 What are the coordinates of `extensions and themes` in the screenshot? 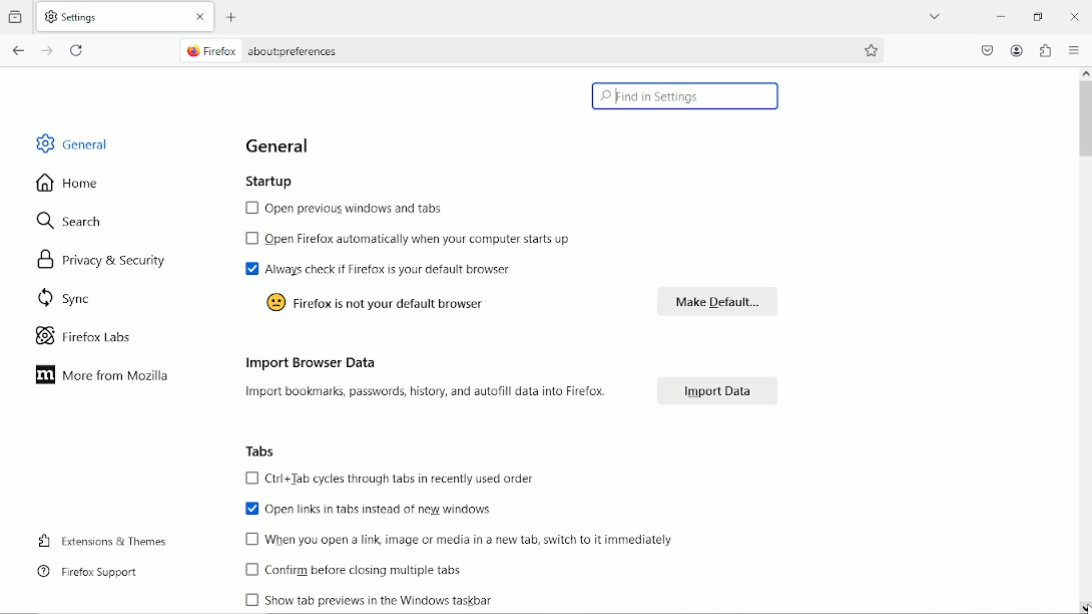 It's located at (105, 539).